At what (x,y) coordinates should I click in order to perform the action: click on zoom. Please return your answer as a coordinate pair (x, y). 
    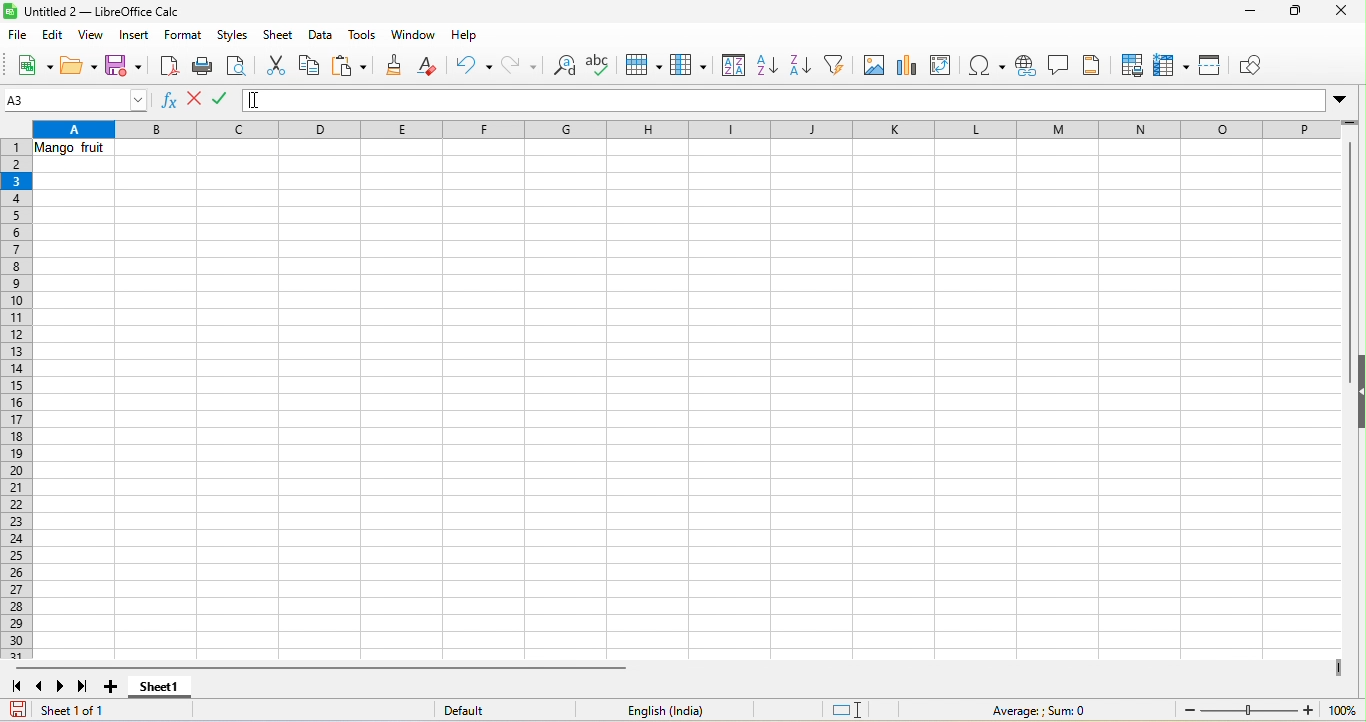
    Looking at the image, I should click on (1270, 711).